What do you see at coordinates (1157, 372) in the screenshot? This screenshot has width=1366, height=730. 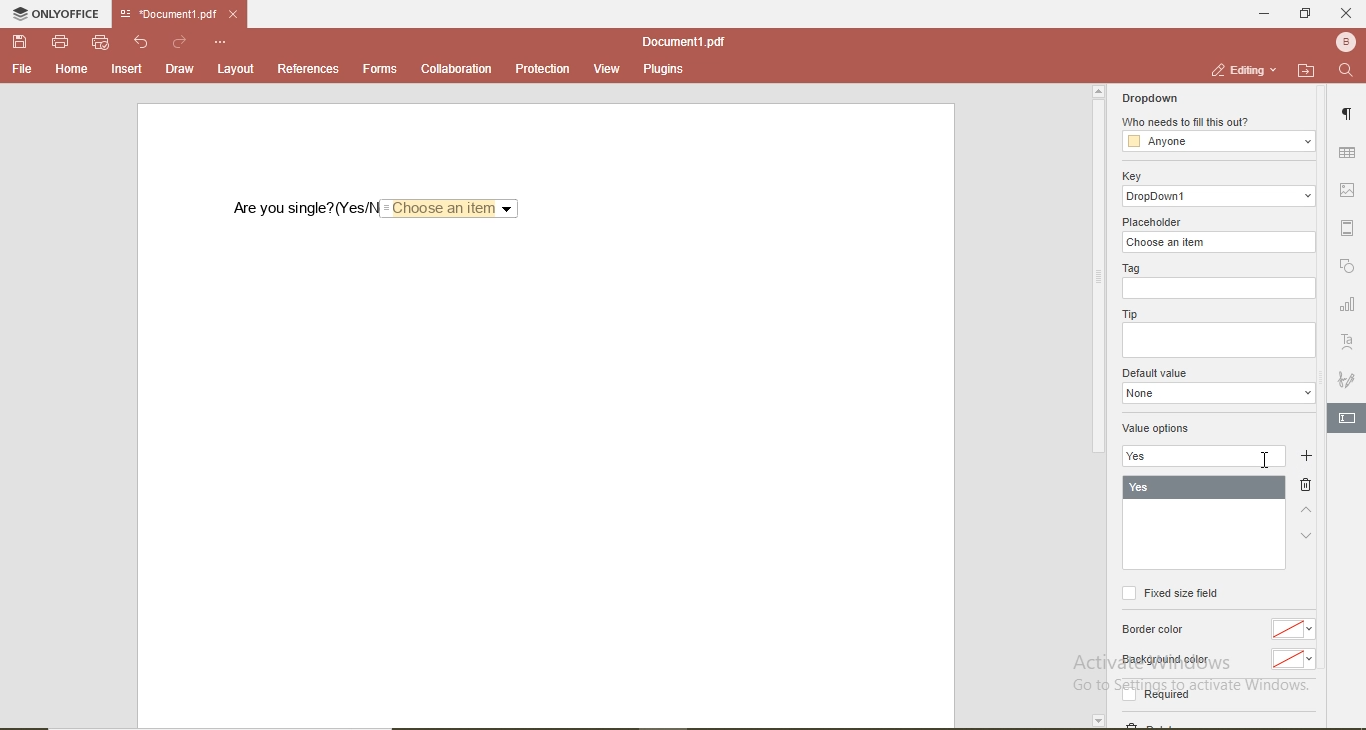 I see `default value` at bounding box center [1157, 372].